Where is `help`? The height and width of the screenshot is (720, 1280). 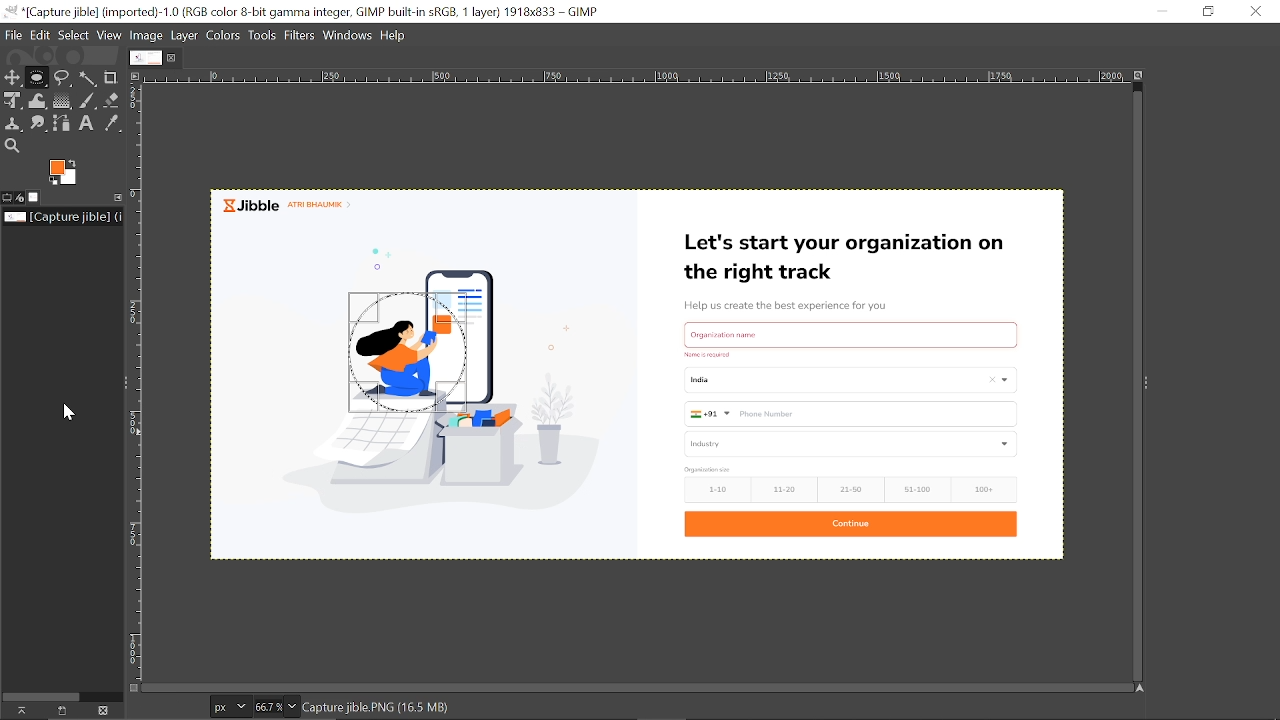 help is located at coordinates (396, 34).